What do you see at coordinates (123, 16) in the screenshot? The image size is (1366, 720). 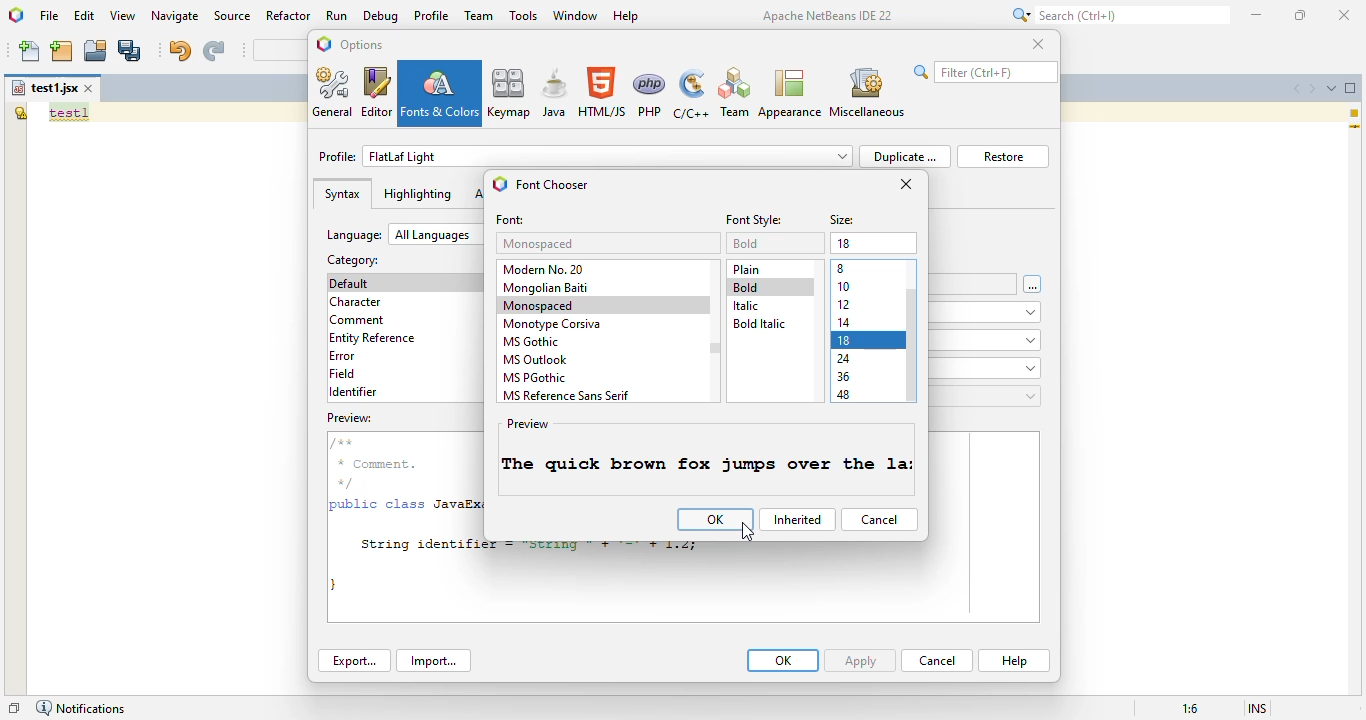 I see `view` at bounding box center [123, 16].